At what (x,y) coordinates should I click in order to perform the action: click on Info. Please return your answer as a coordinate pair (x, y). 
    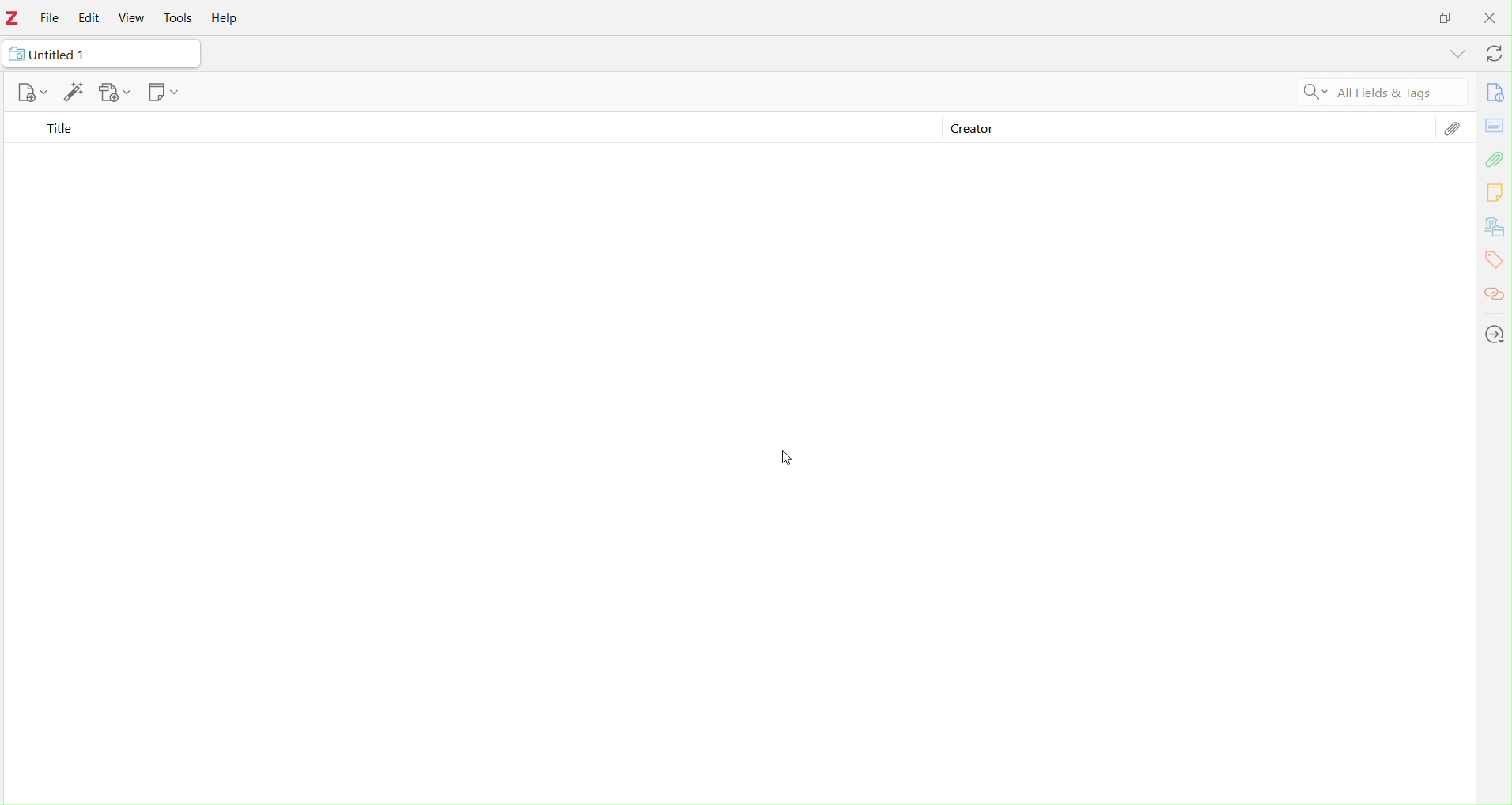
    Looking at the image, I should click on (1492, 93).